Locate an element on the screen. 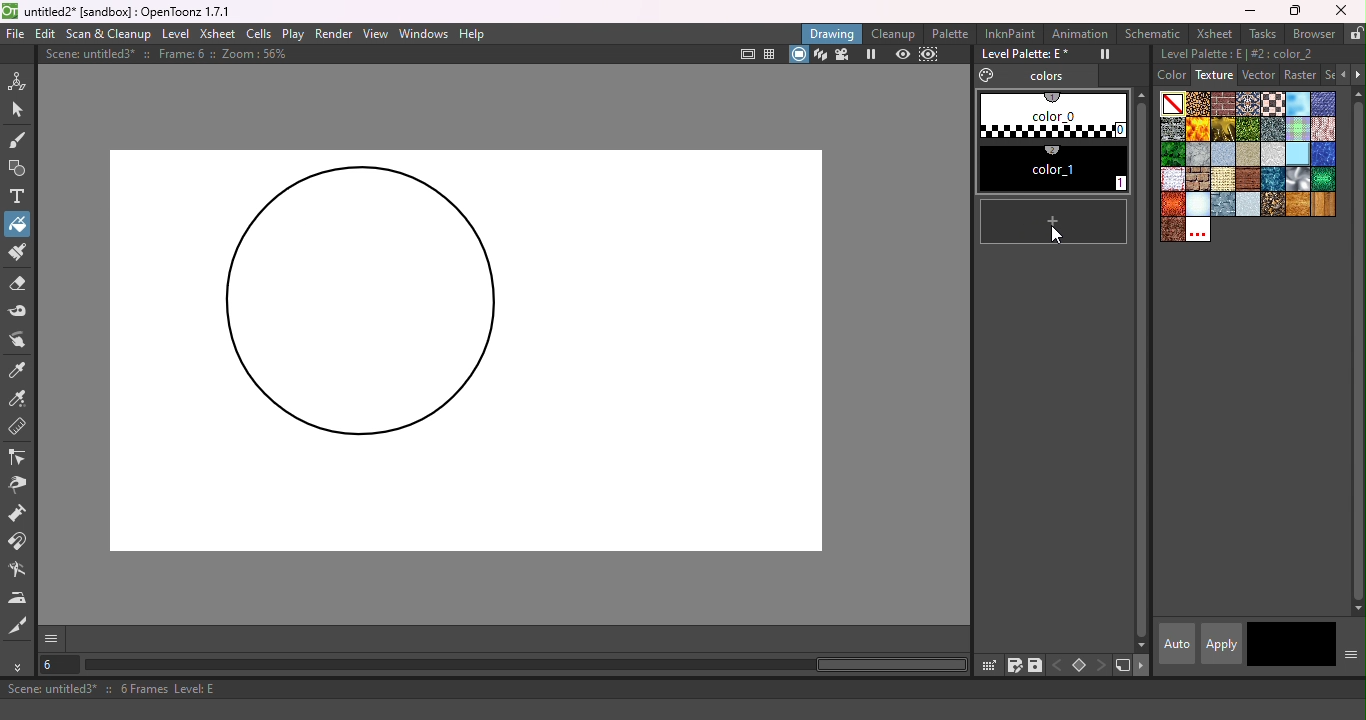  Kilt.bmp is located at coordinates (1297, 129).